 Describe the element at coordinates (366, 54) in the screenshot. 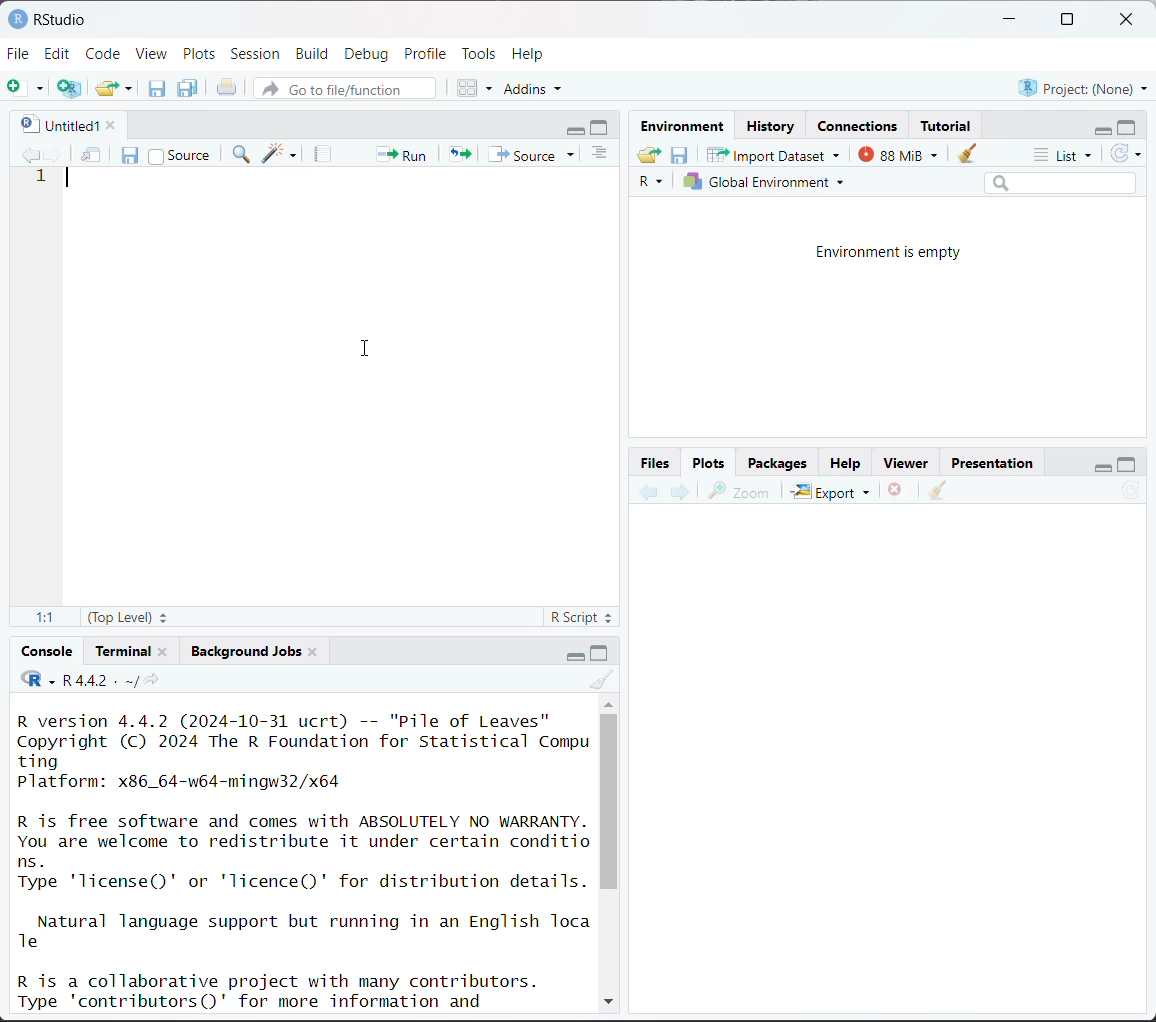

I see `Debug` at that location.